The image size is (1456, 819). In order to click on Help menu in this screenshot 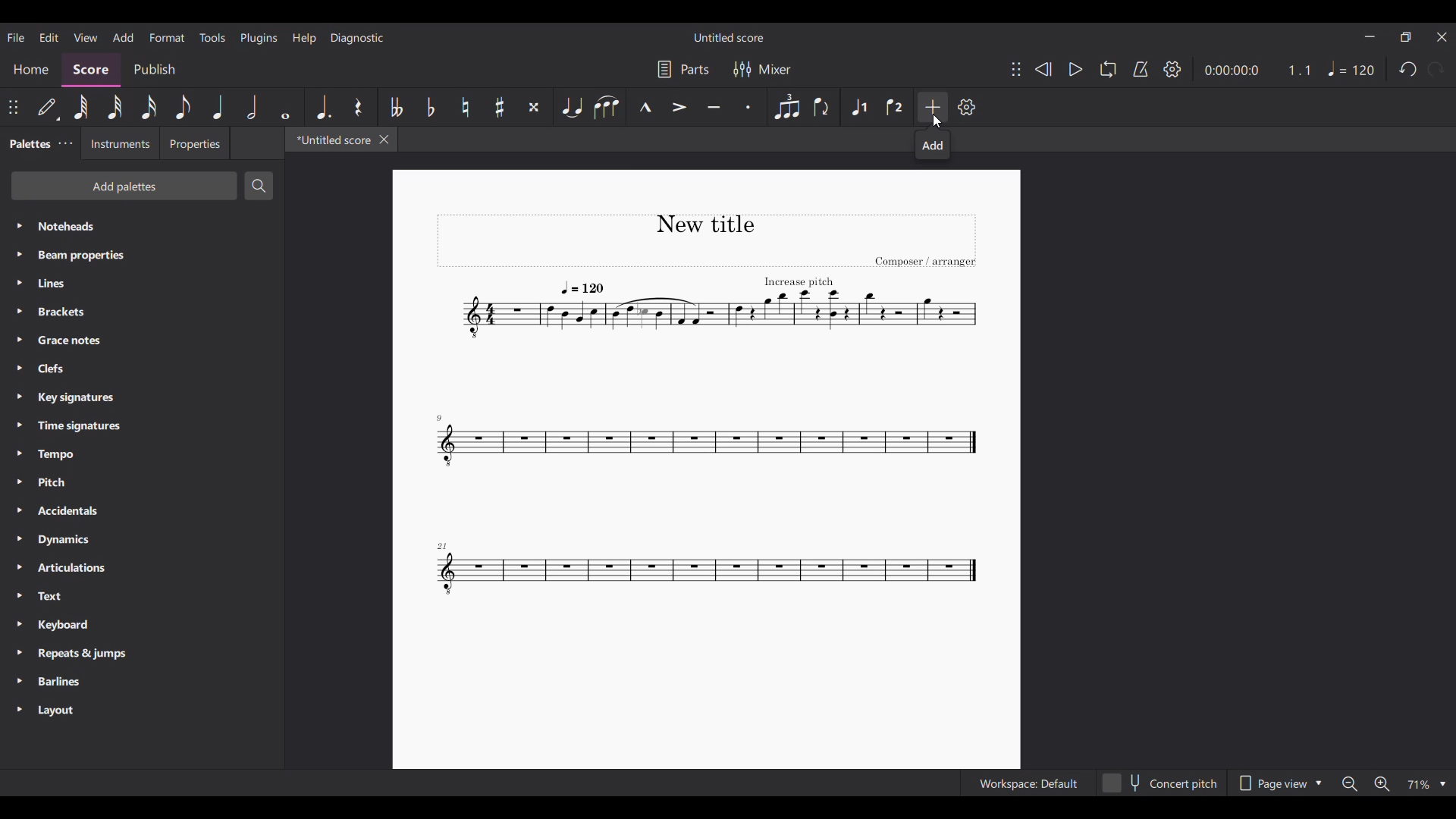, I will do `click(304, 39)`.